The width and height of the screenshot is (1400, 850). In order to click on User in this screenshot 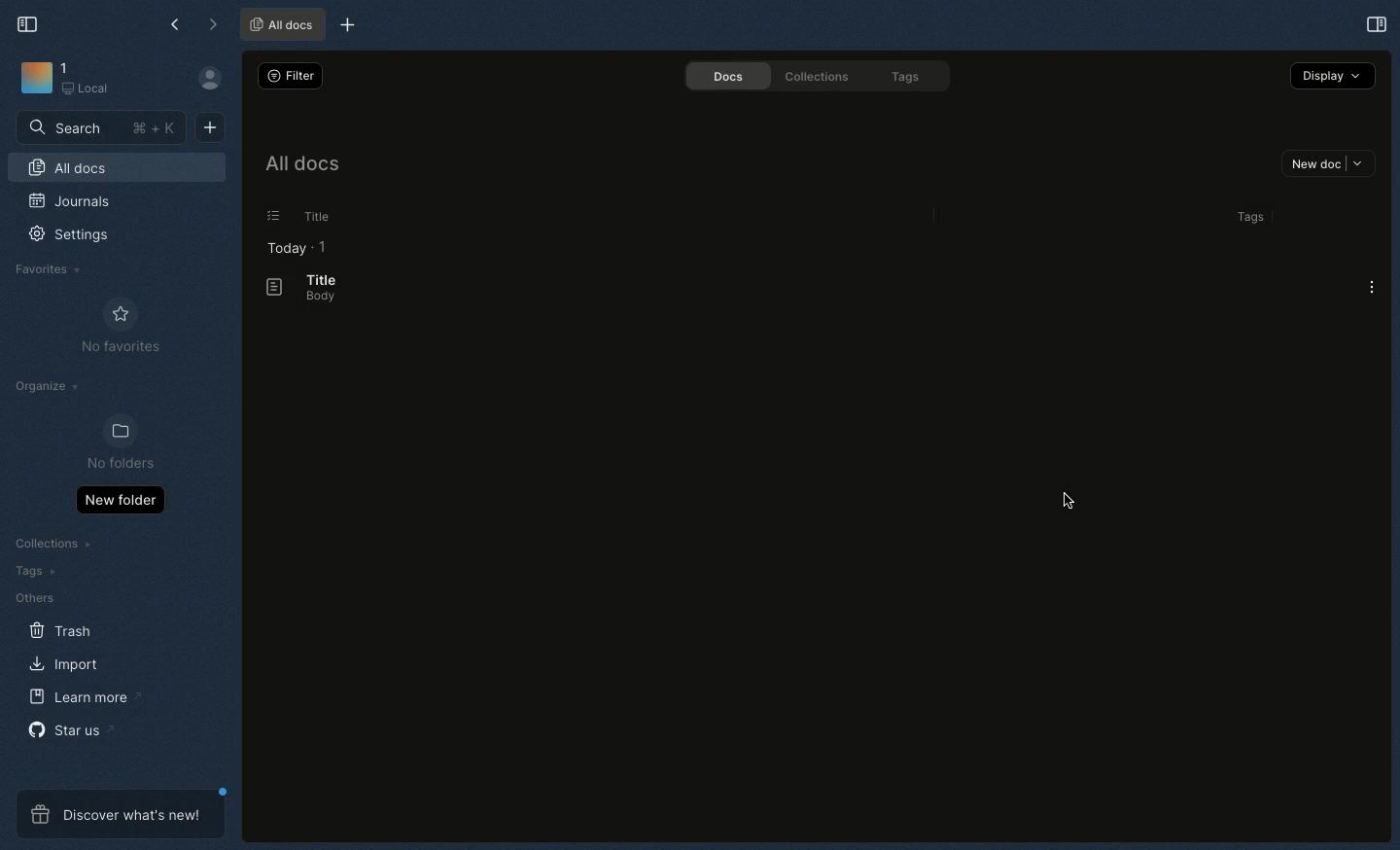, I will do `click(218, 79)`.